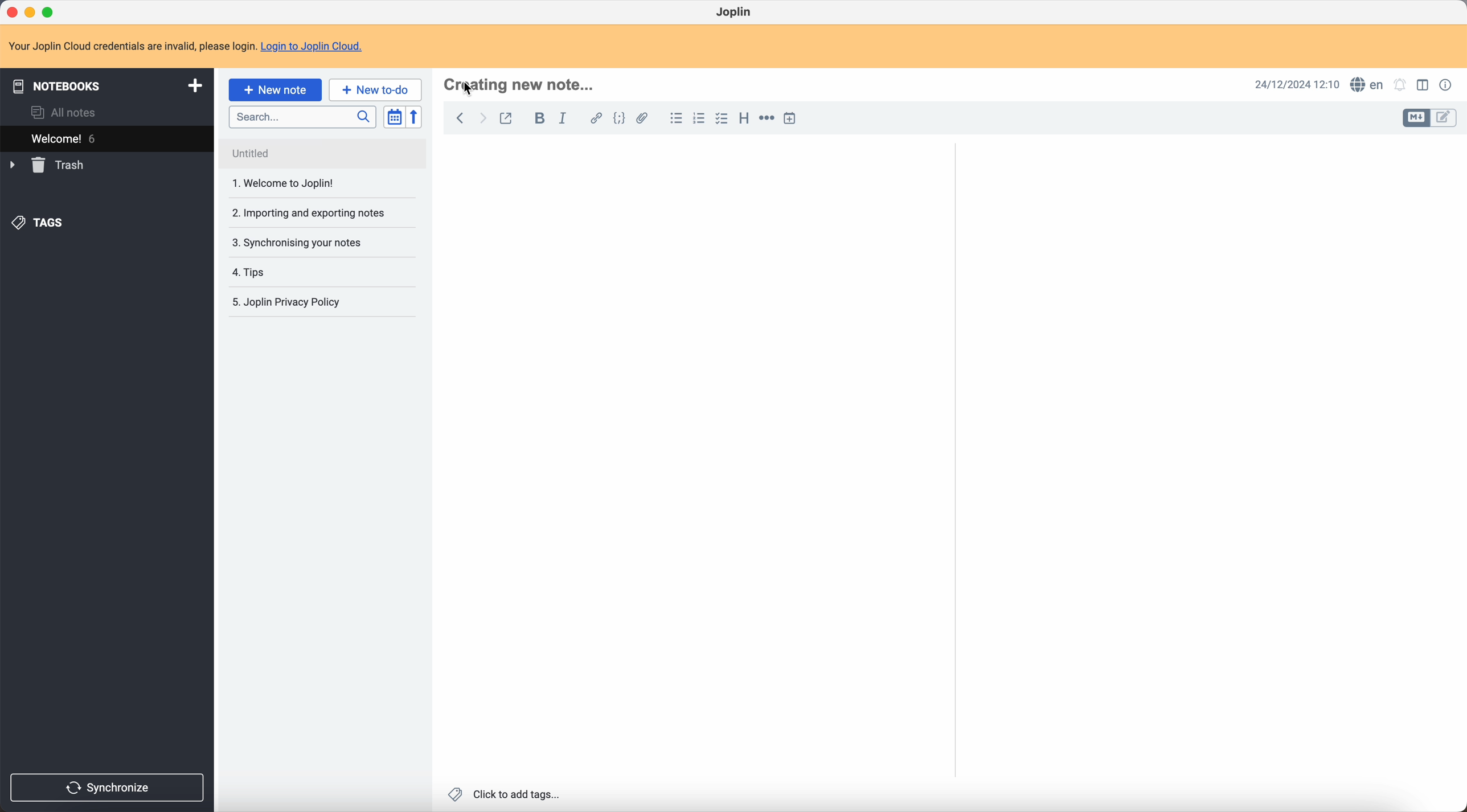 Image resolution: width=1467 pixels, height=812 pixels. What do you see at coordinates (315, 212) in the screenshot?
I see `importing and exporting notes` at bounding box center [315, 212].